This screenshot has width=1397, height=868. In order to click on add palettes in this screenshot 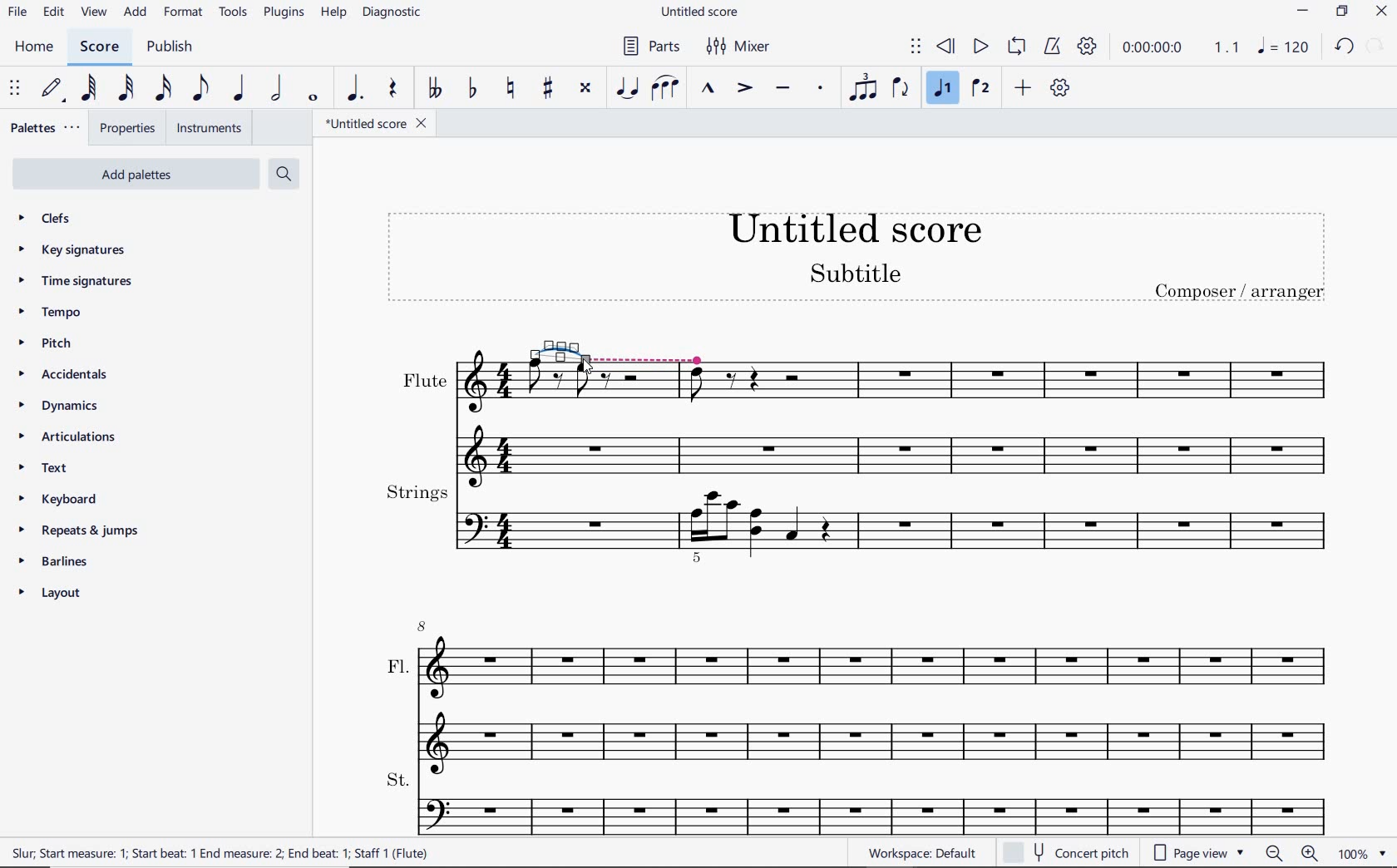, I will do `click(137, 173)`.